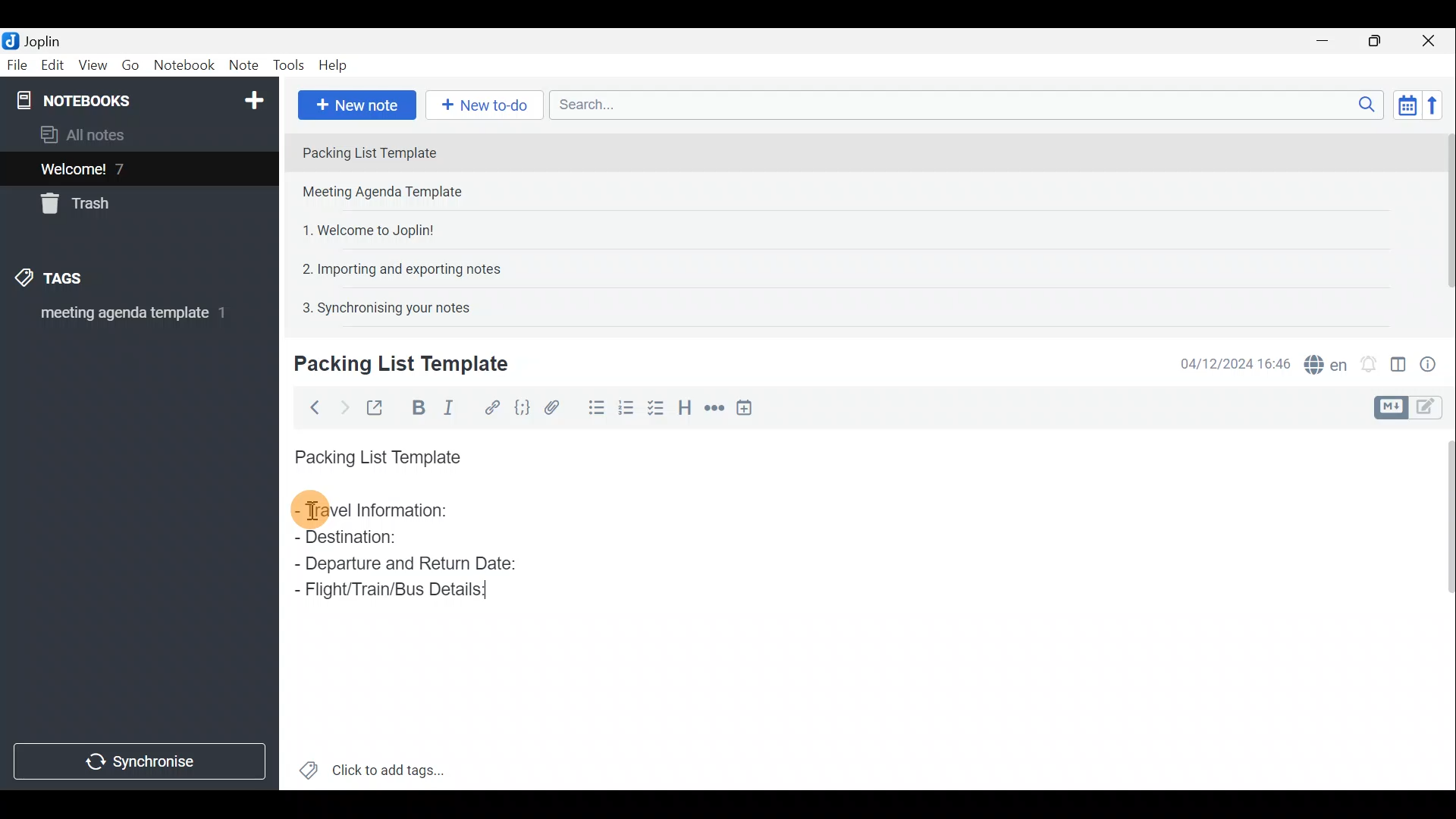  I want to click on Note 1, so click(424, 151).